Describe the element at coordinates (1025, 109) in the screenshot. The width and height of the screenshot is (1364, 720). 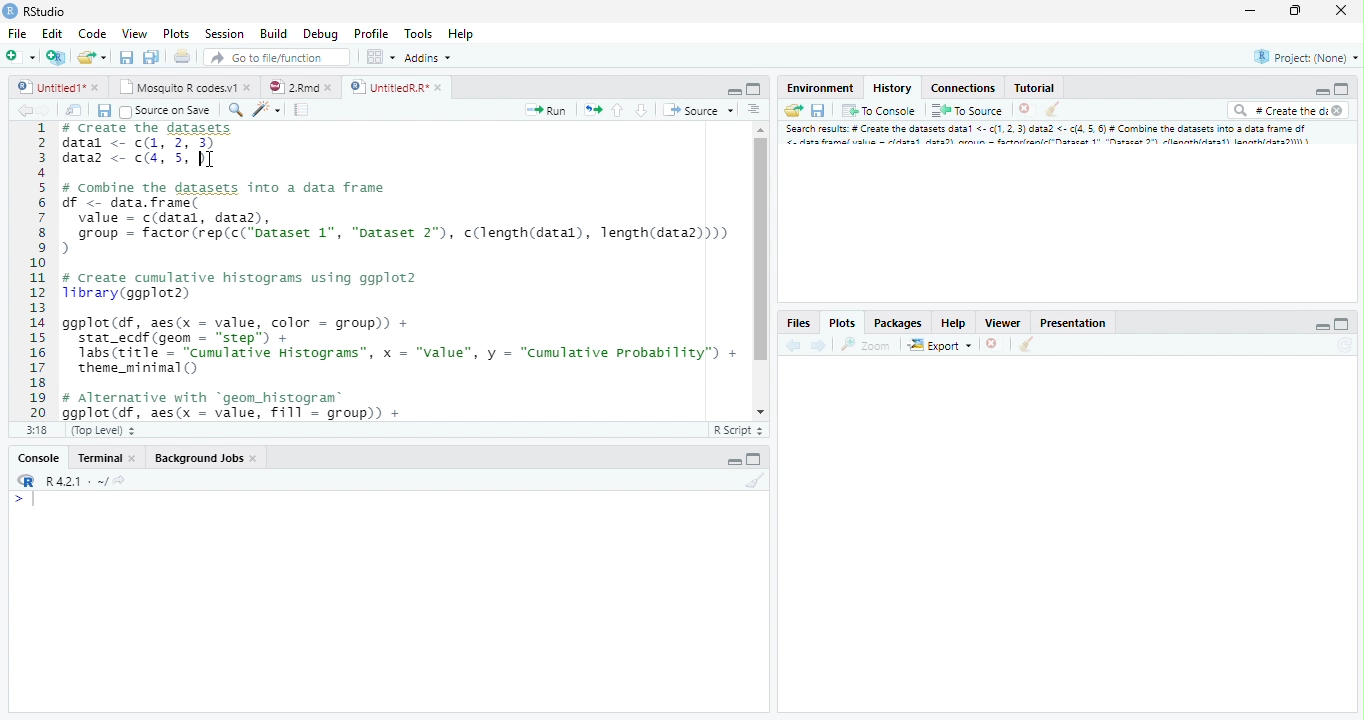
I see `Delete` at that location.